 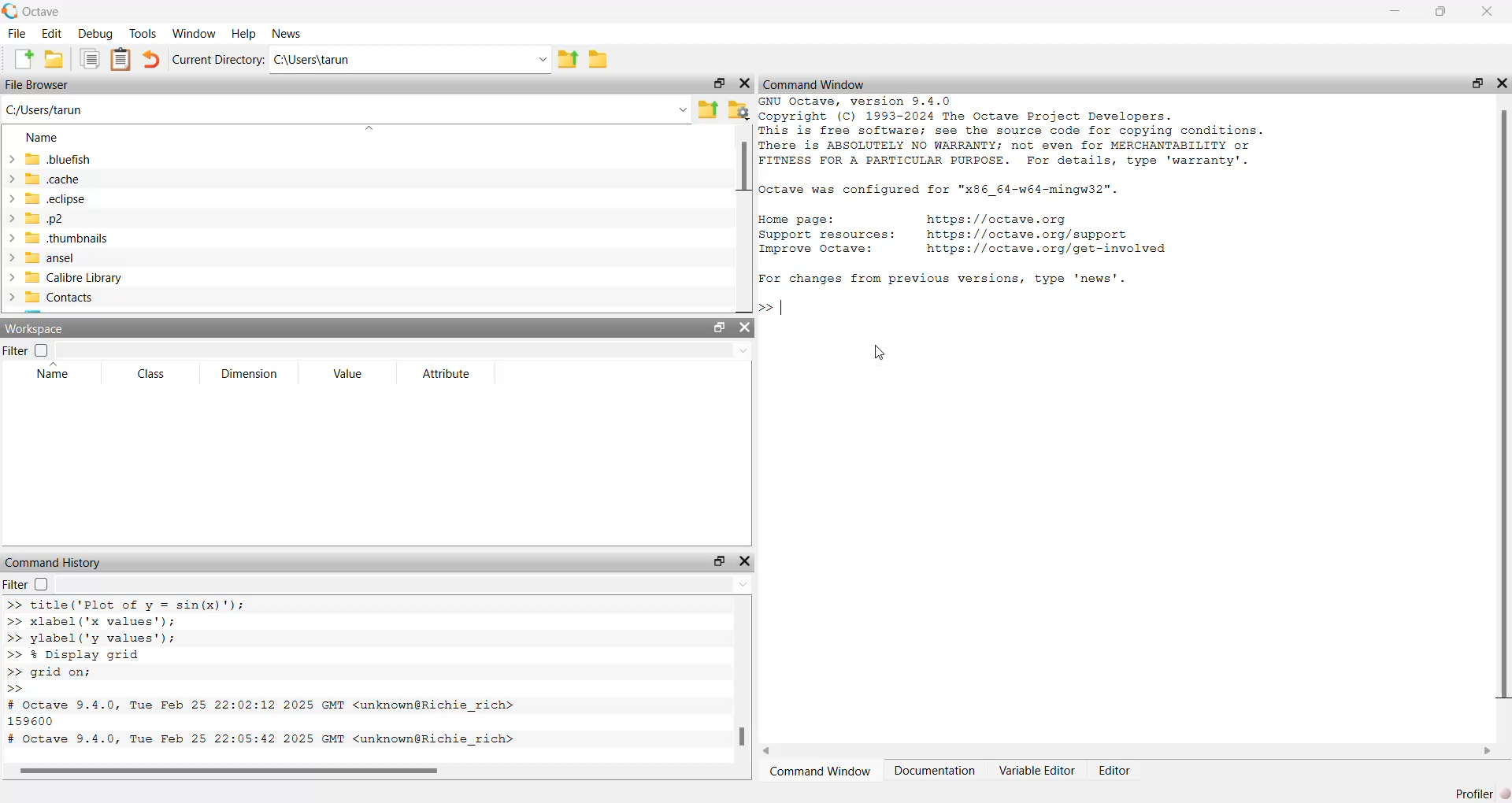 I want to click on For changes from previous versions, type 'news'., so click(x=944, y=279).